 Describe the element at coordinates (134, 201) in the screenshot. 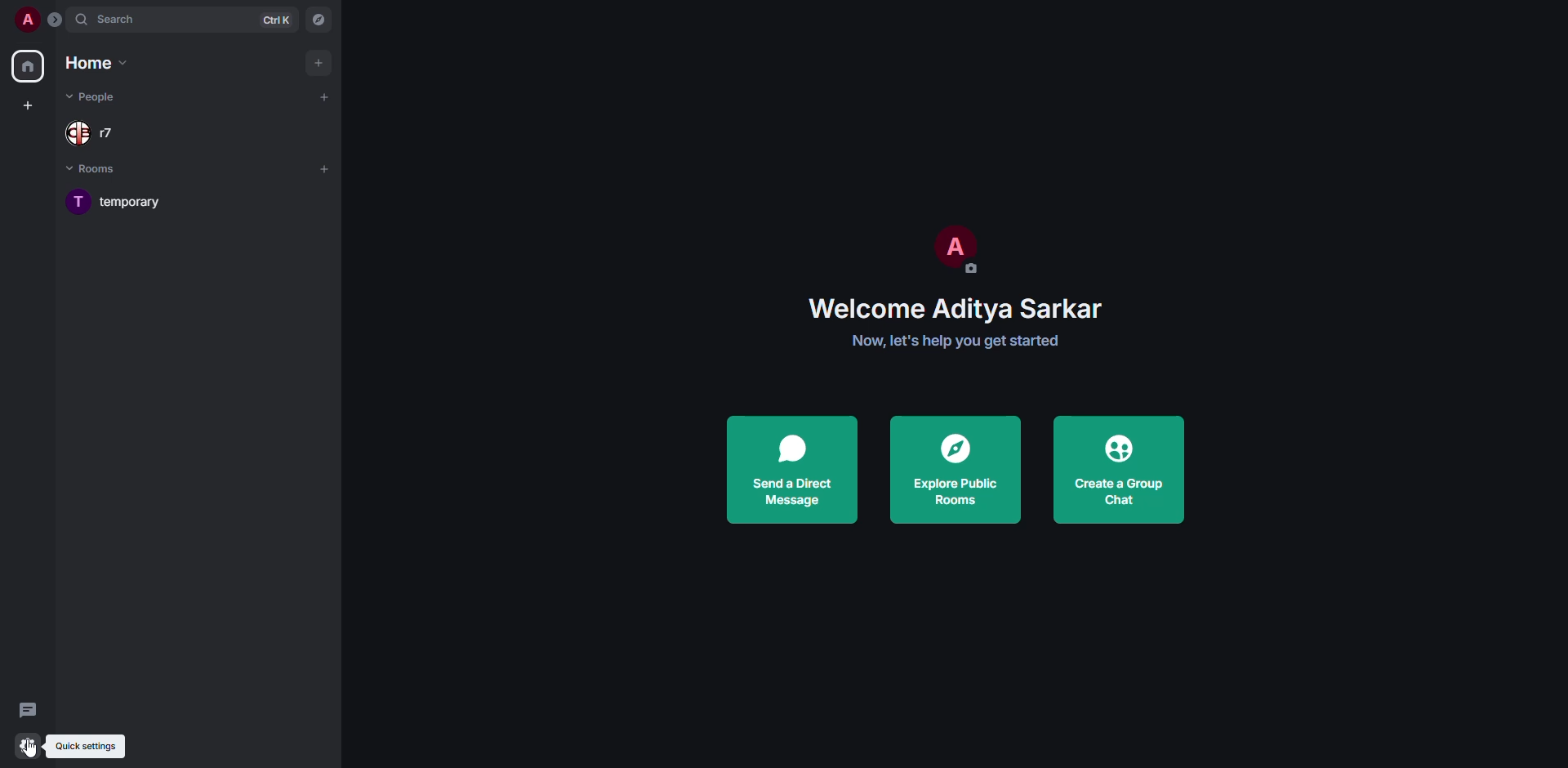

I see `room` at that location.